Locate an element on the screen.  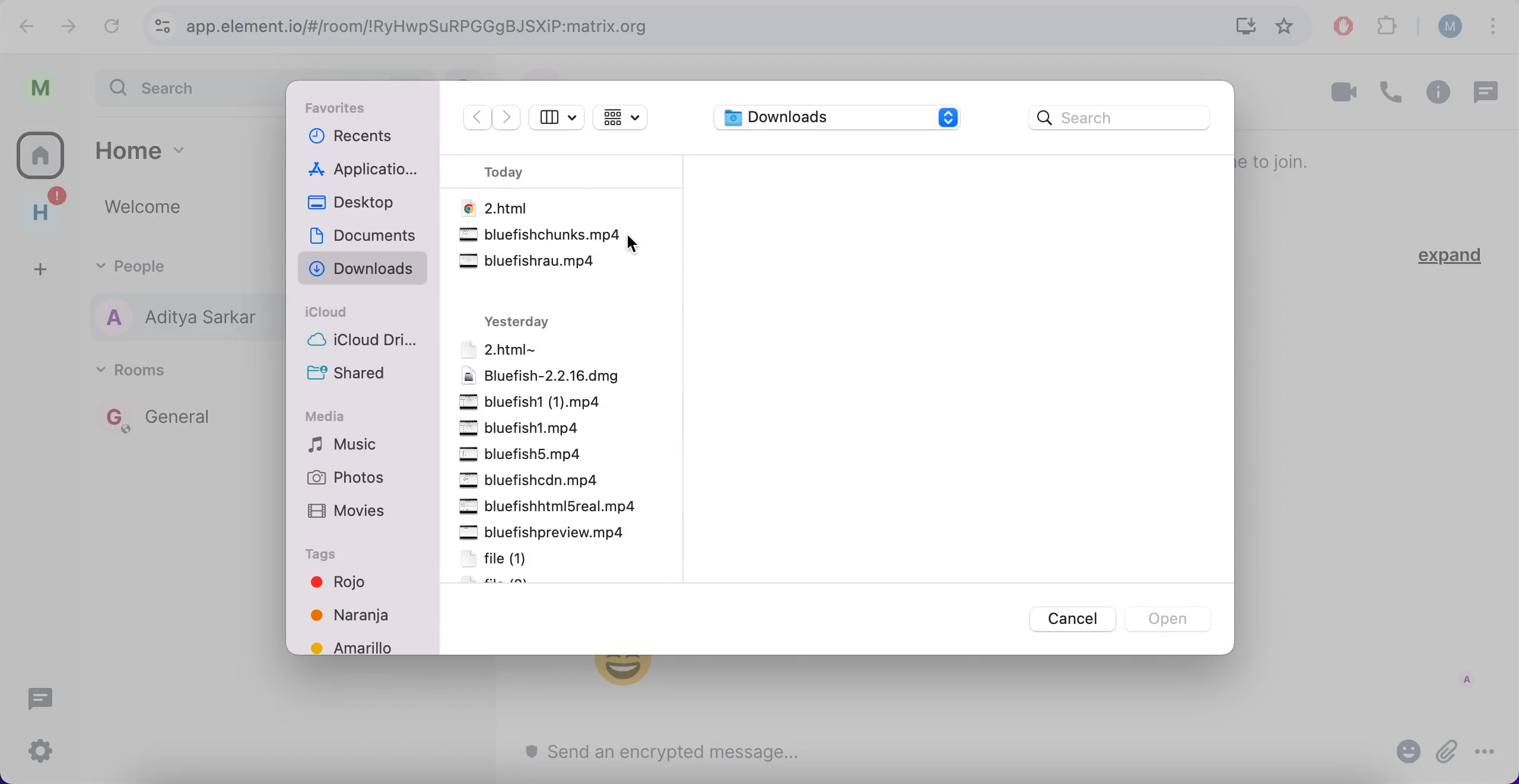
videocall is located at coordinates (1334, 91).